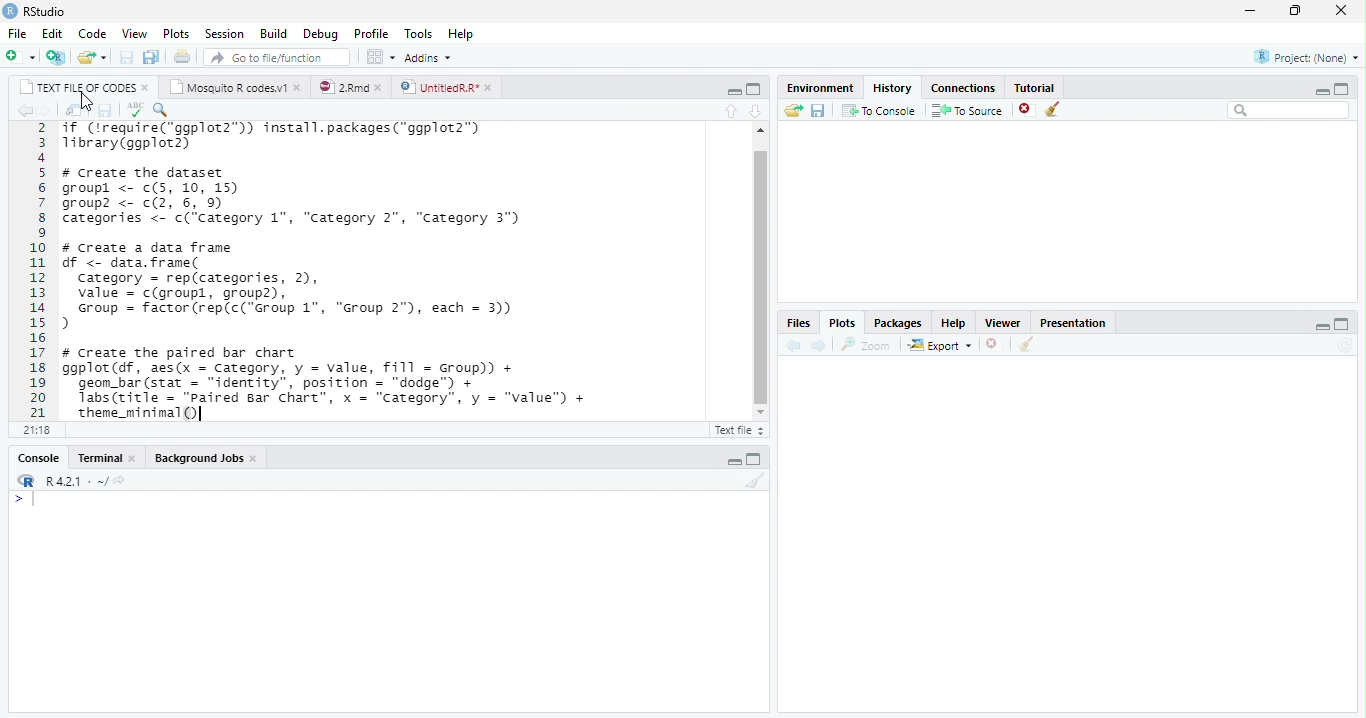 The image size is (1366, 718). Describe the element at coordinates (1029, 345) in the screenshot. I see `clean` at that location.